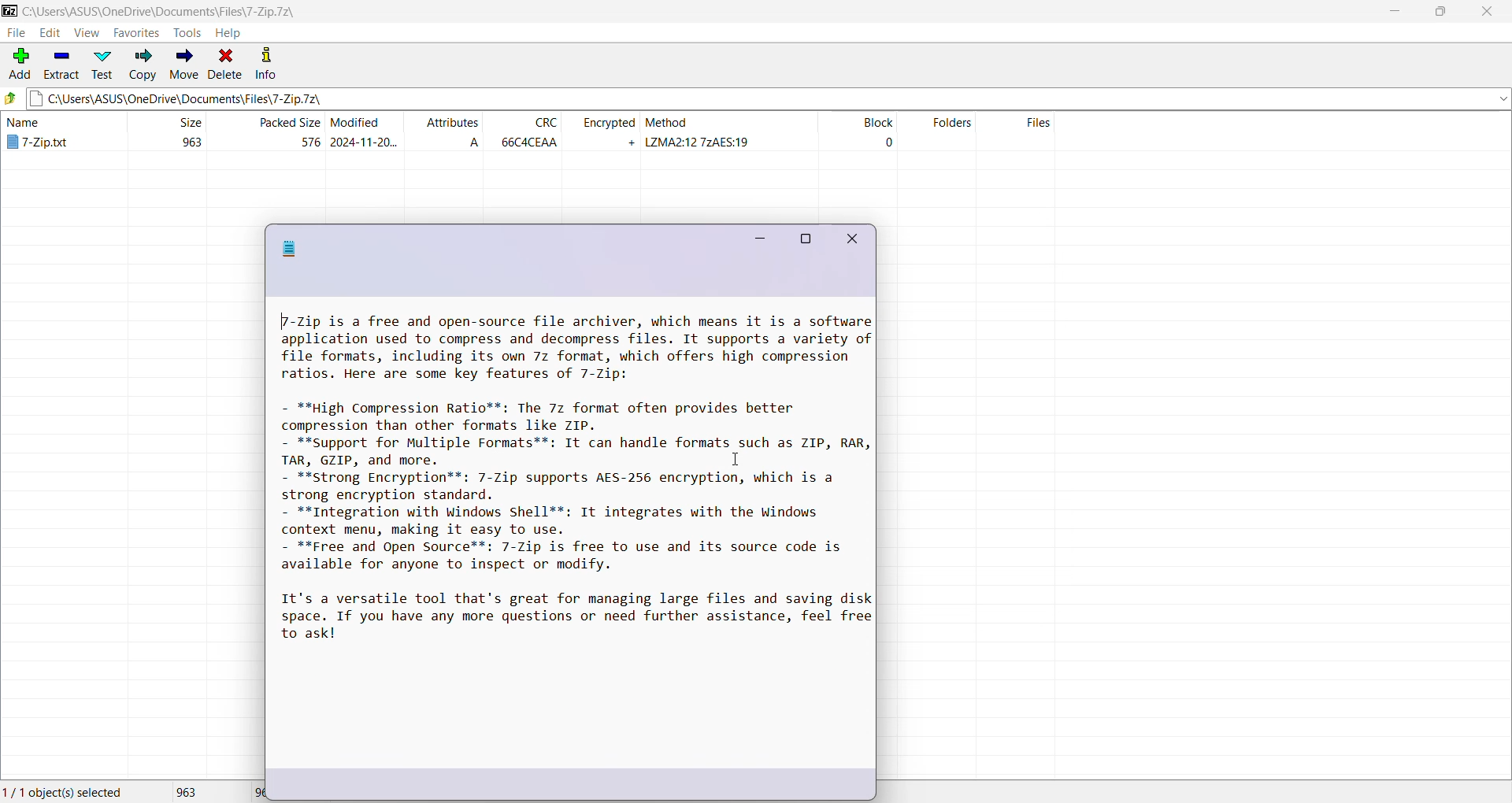 This screenshot has height=803, width=1512. I want to click on View, so click(86, 32).